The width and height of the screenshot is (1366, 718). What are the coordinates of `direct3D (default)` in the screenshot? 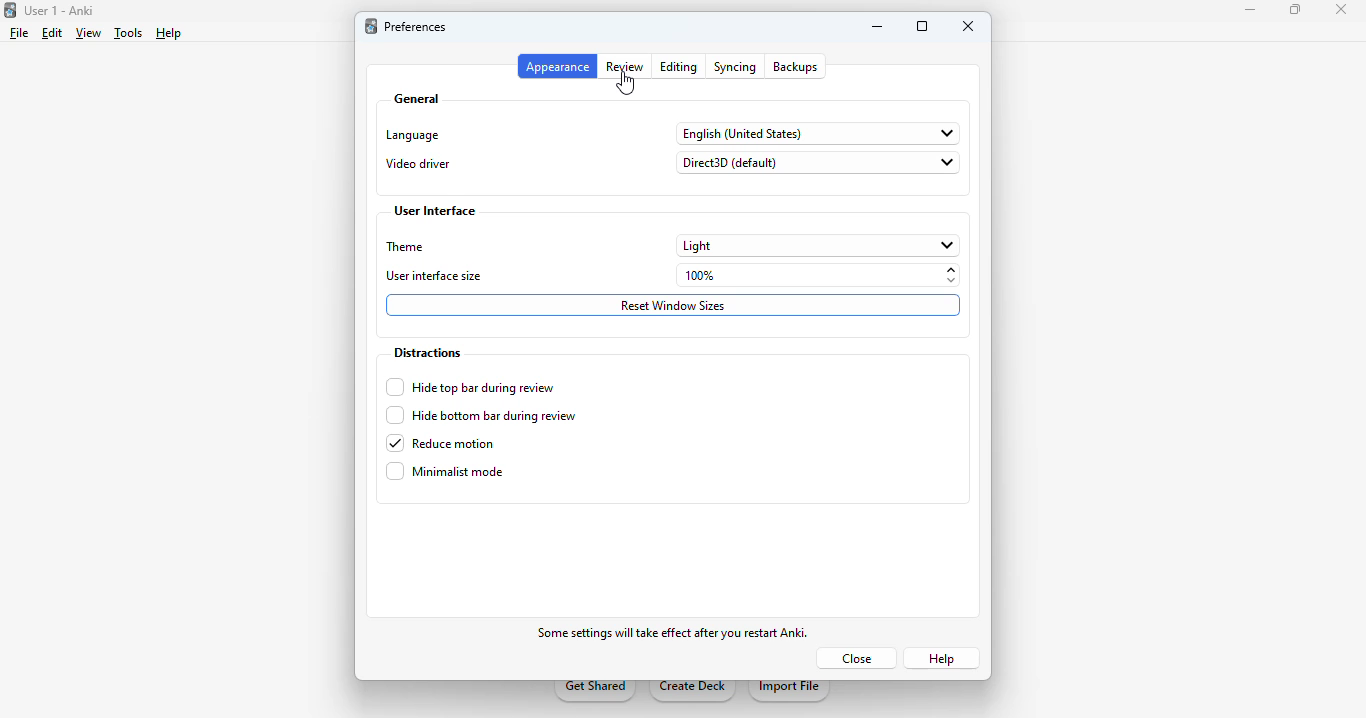 It's located at (818, 164).